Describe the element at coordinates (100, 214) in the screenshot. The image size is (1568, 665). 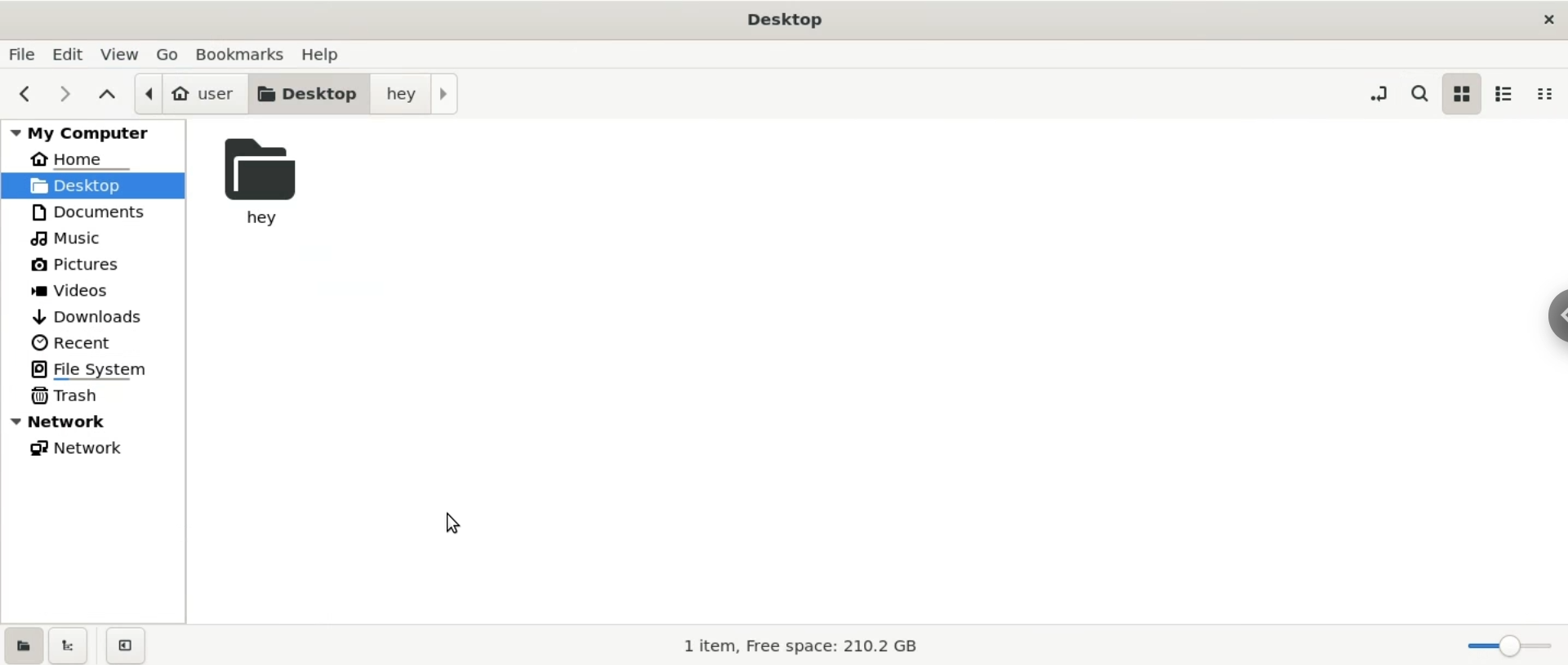
I see `documents` at that location.